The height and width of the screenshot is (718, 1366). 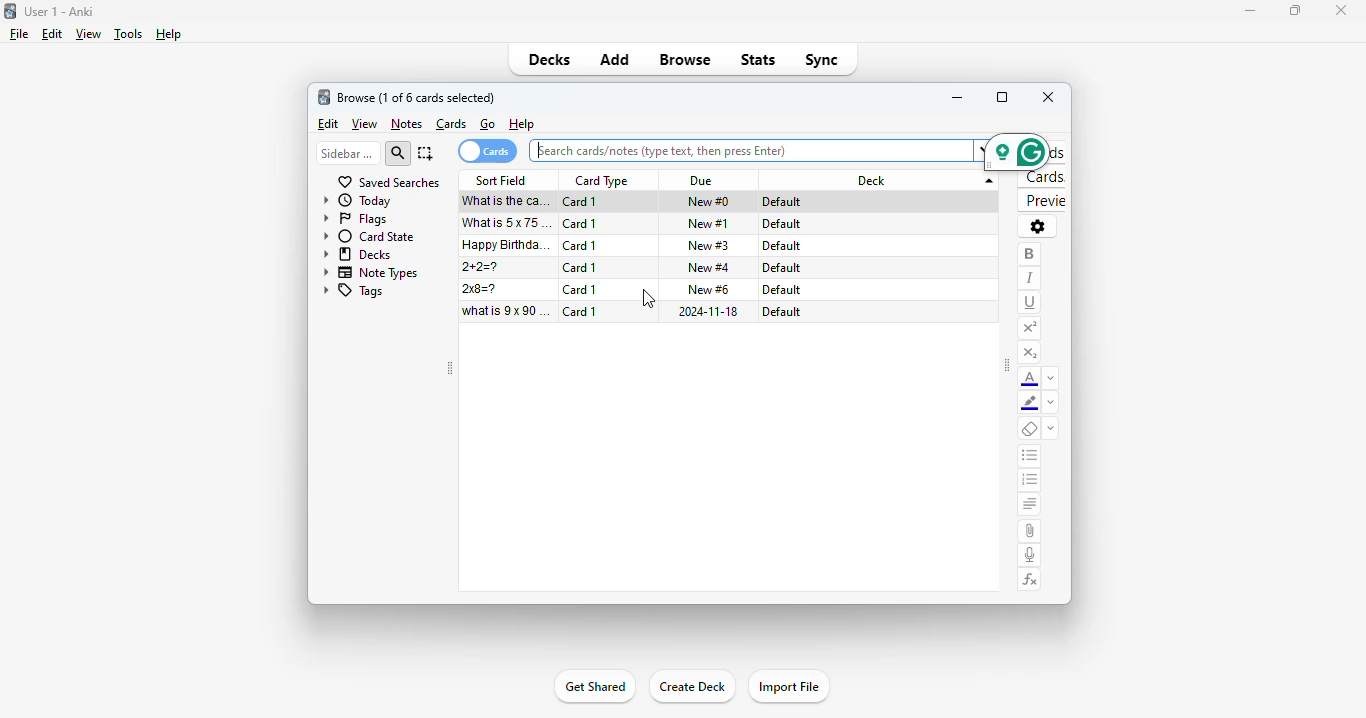 I want to click on underline, so click(x=1030, y=302).